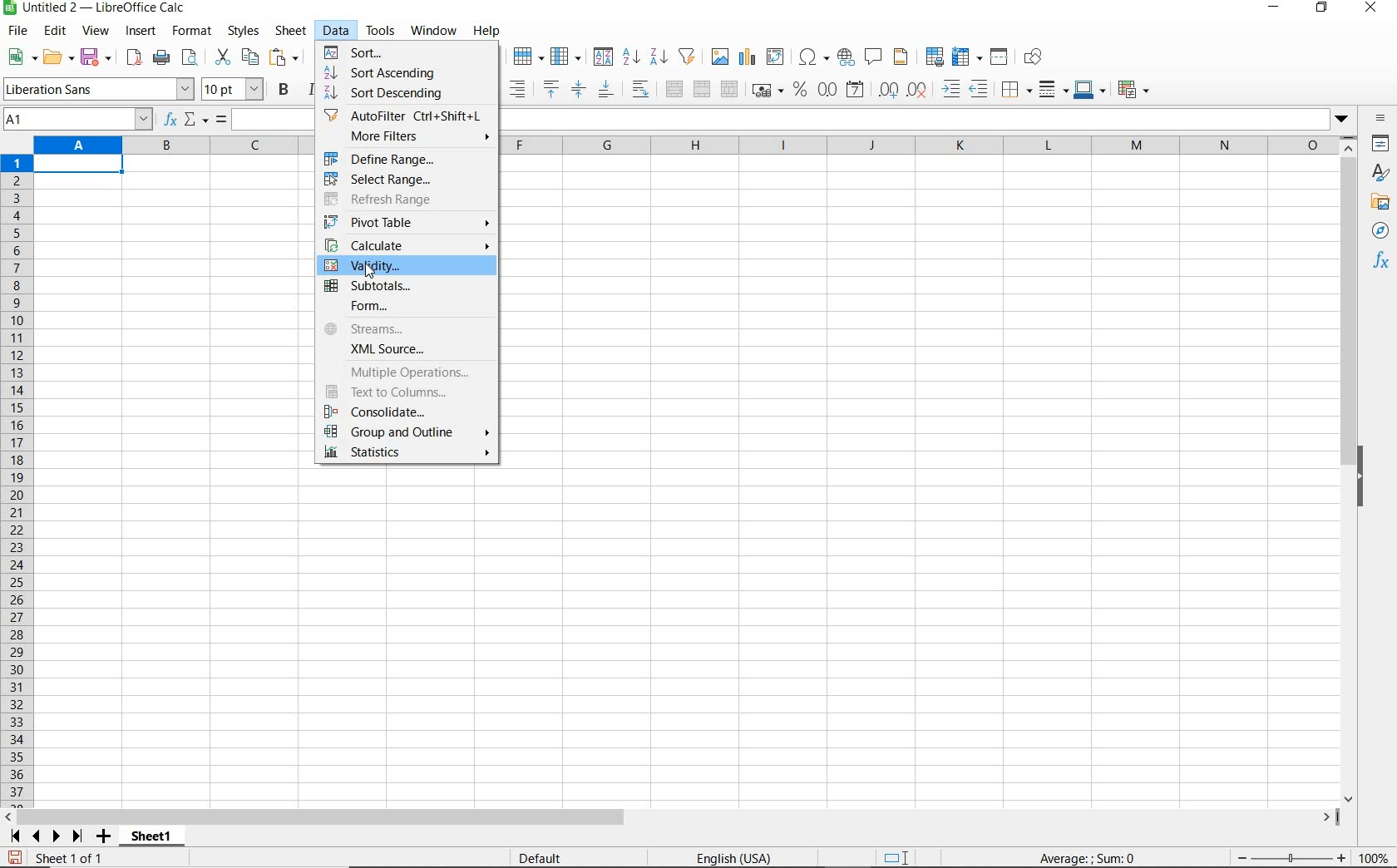 This screenshot has height=868, width=1397. What do you see at coordinates (732, 860) in the screenshot?
I see `text language` at bounding box center [732, 860].